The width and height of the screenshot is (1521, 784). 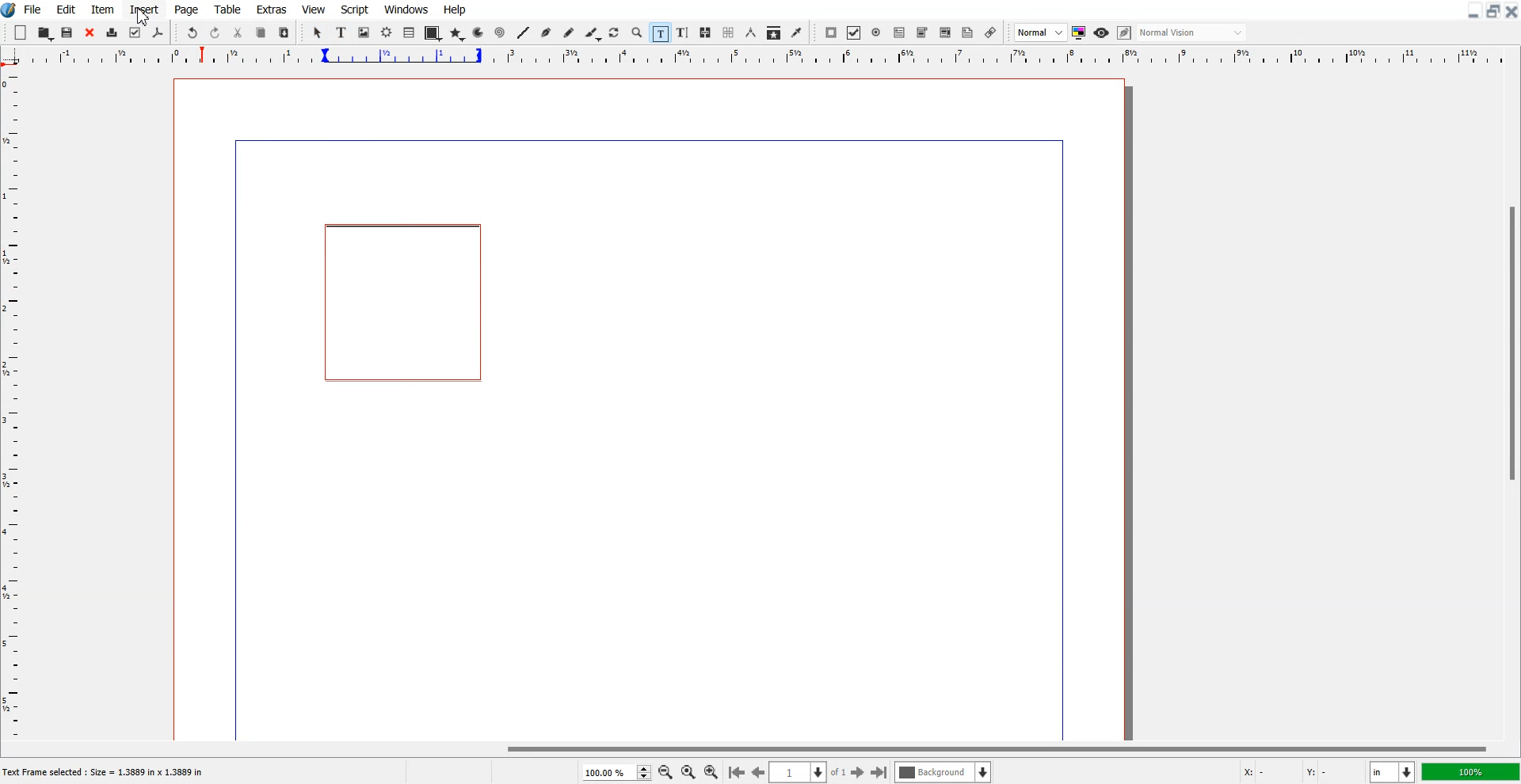 I want to click on Select Image Preview quality, so click(x=1041, y=32).